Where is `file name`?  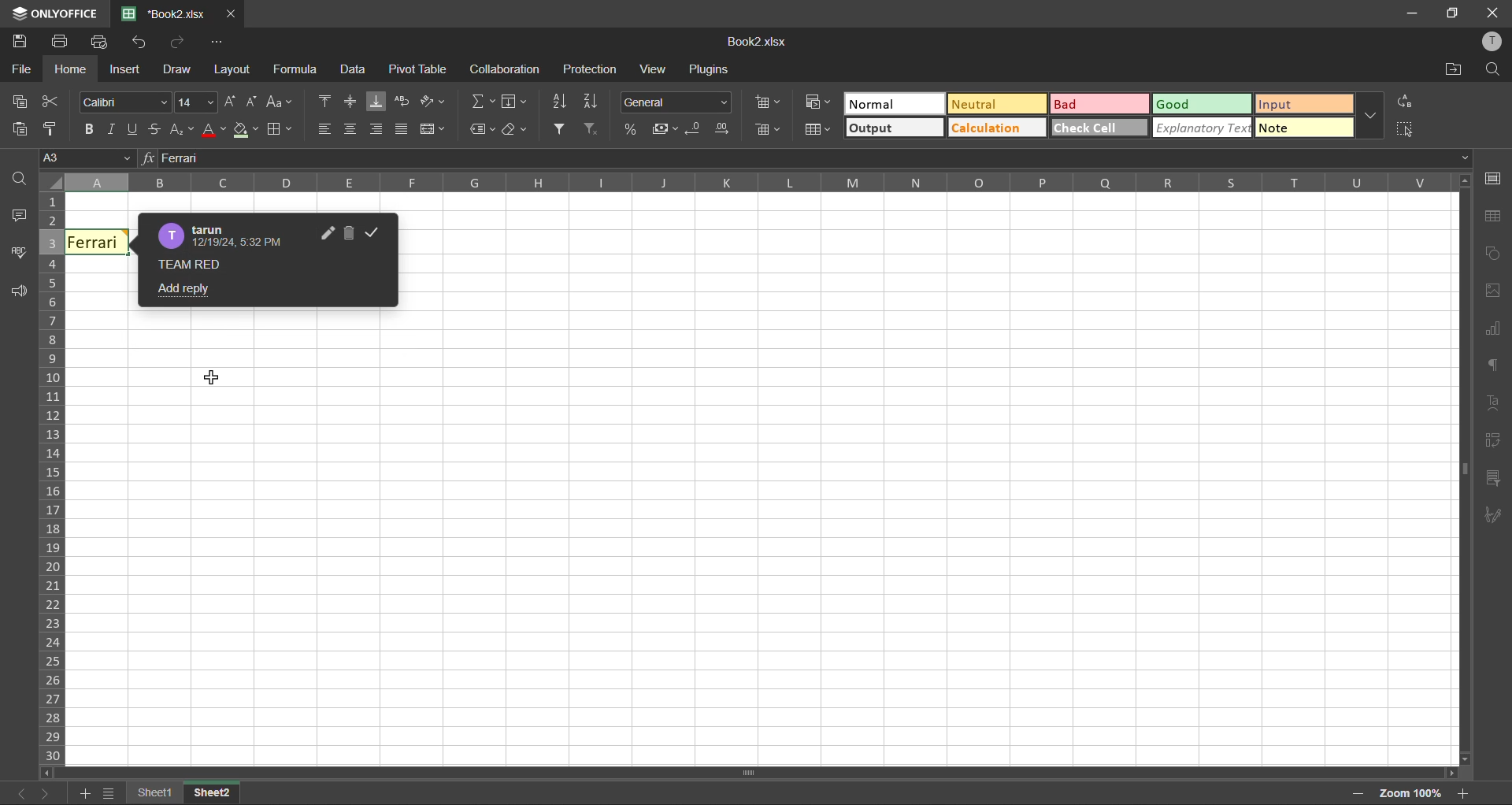 file name is located at coordinates (758, 42).